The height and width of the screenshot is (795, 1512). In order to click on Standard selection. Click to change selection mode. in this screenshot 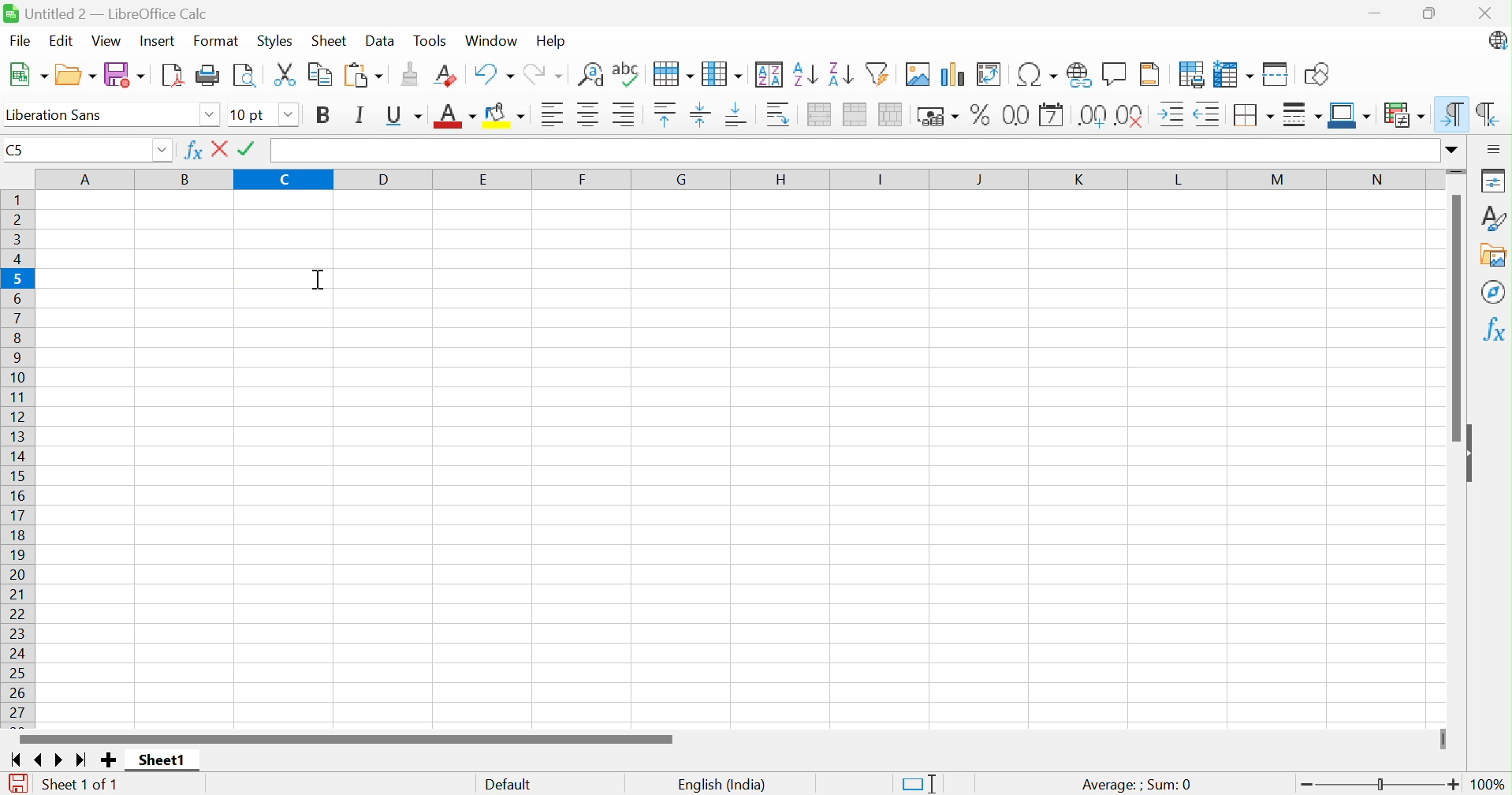, I will do `click(918, 784)`.